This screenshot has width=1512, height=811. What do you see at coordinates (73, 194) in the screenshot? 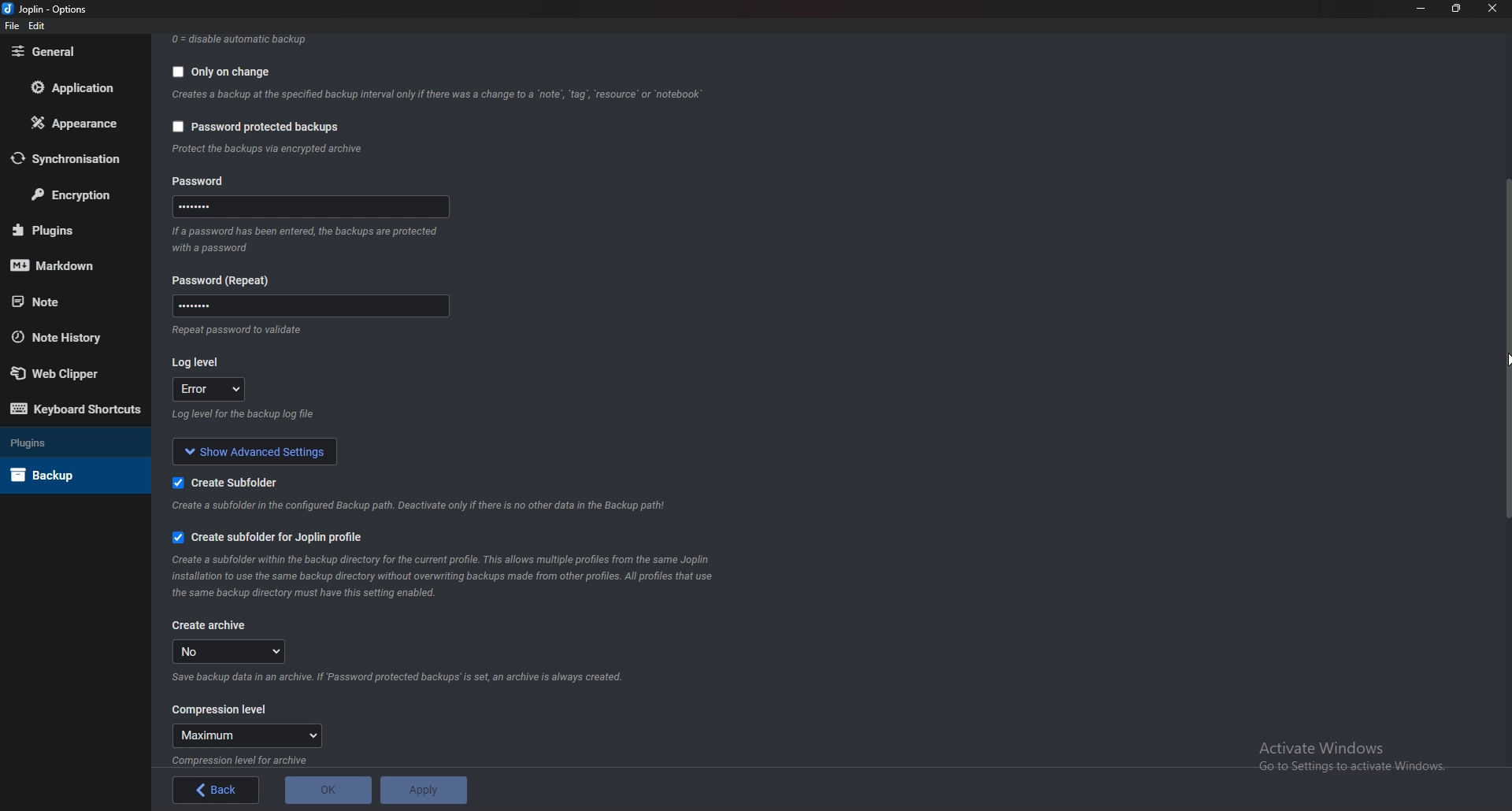
I see `Encryption` at bounding box center [73, 194].